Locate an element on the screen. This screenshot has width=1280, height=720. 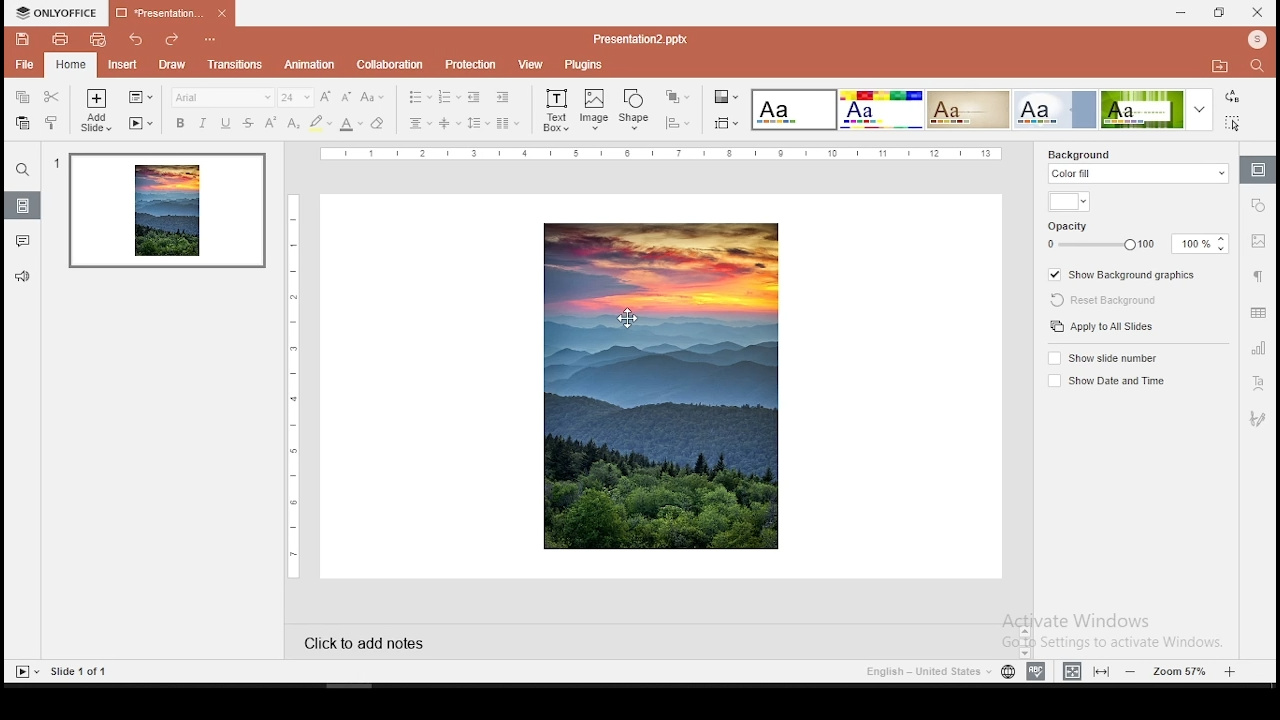
font color is located at coordinates (351, 124).